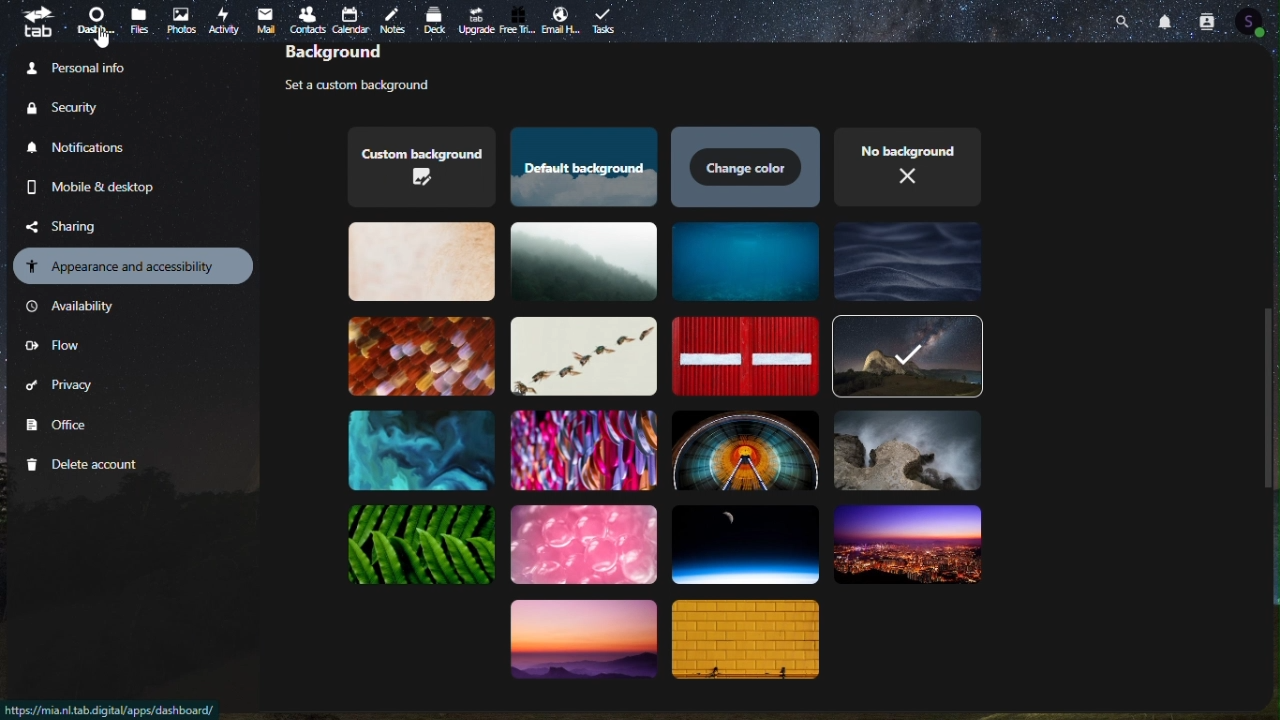  What do you see at coordinates (61, 426) in the screenshot?
I see `Office` at bounding box center [61, 426].